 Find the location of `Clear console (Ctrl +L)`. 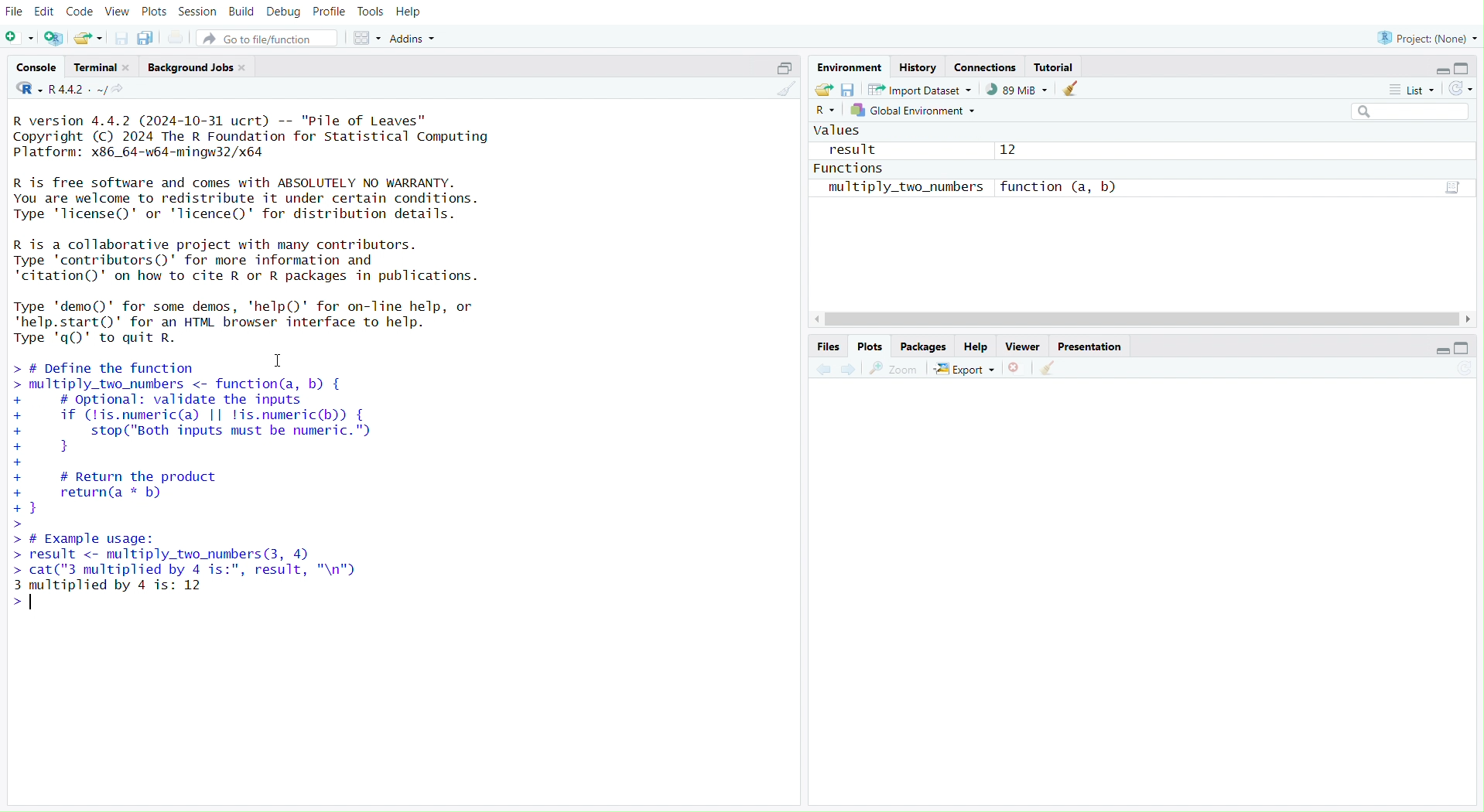

Clear console (Ctrl +L) is located at coordinates (1054, 367).